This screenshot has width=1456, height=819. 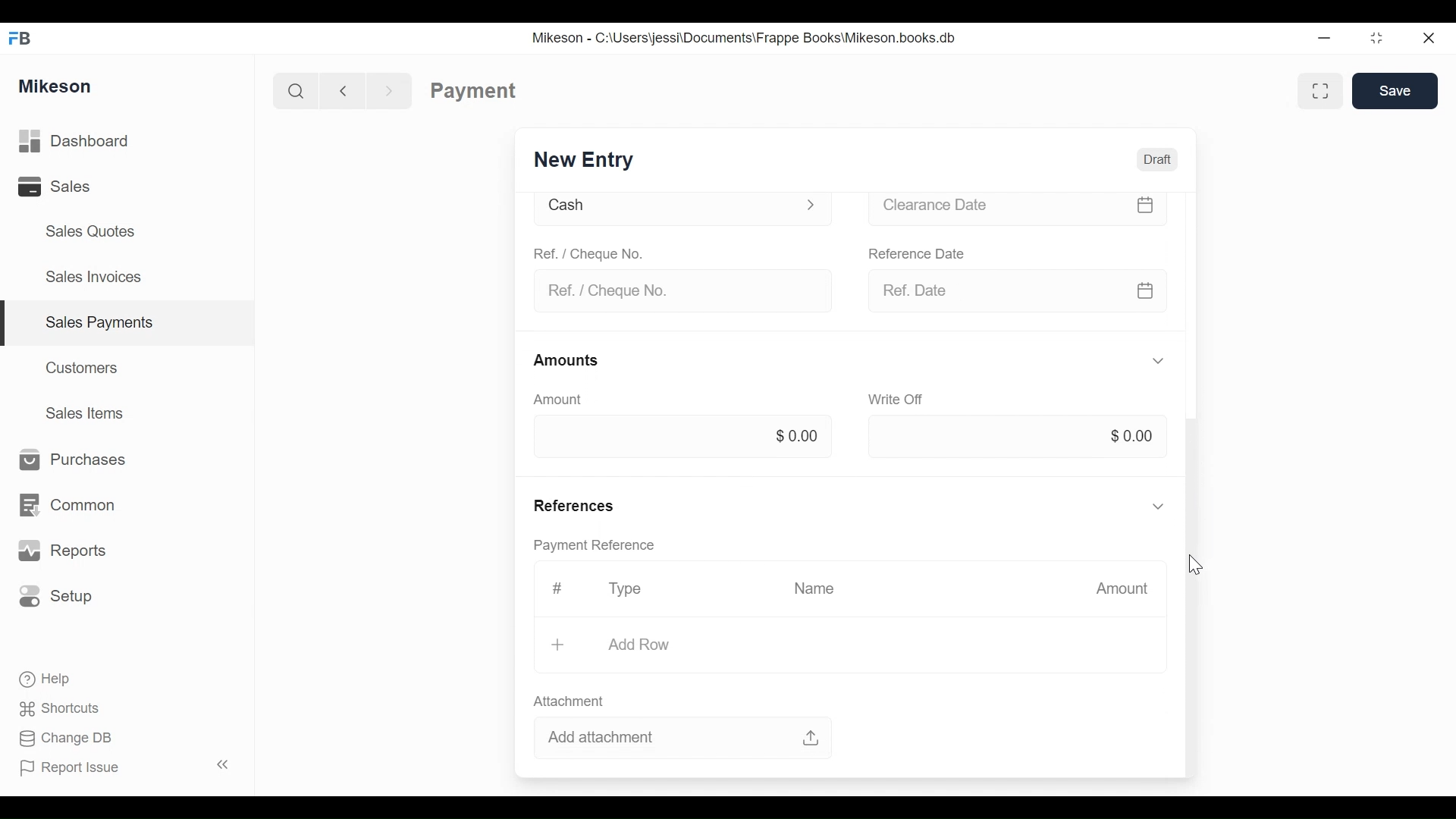 I want to click on Search, so click(x=291, y=89).